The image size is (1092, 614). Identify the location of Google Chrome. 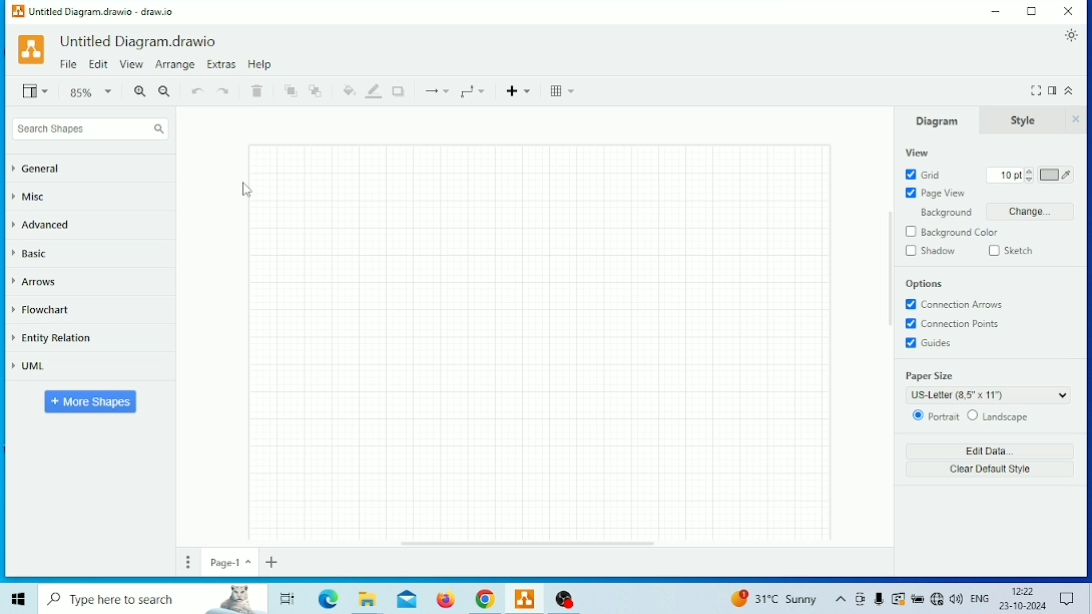
(485, 600).